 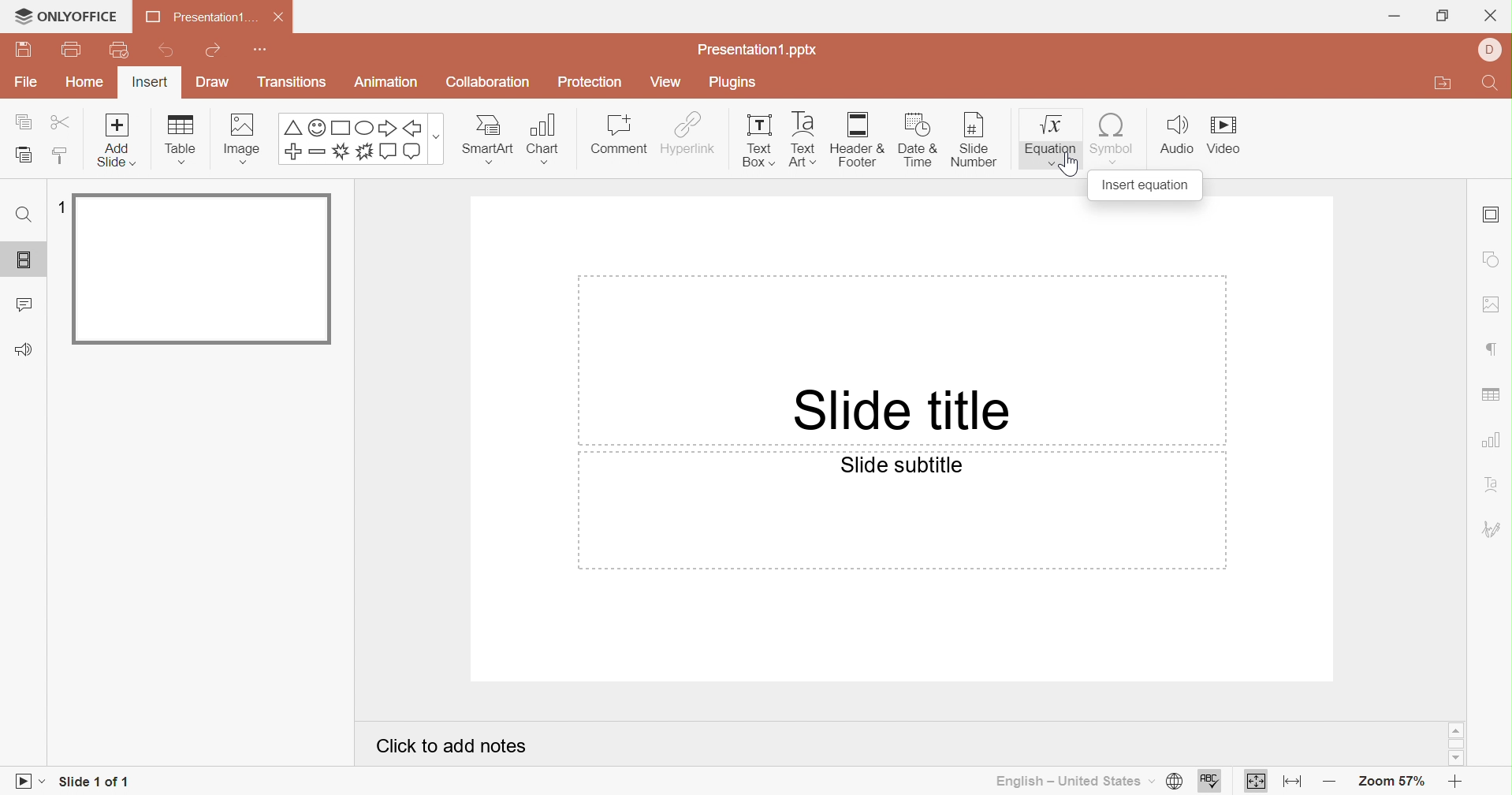 What do you see at coordinates (167, 54) in the screenshot?
I see `Undo` at bounding box center [167, 54].